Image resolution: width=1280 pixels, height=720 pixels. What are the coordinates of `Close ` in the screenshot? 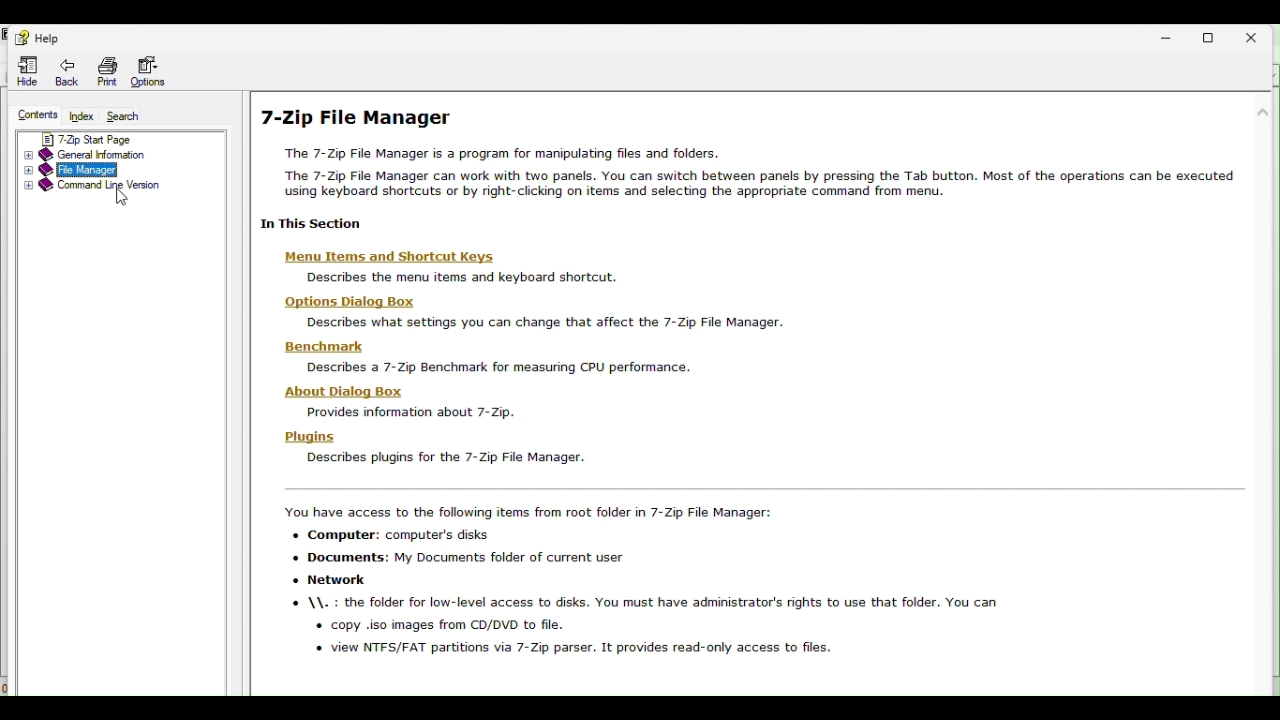 It's located at (1259, 35).